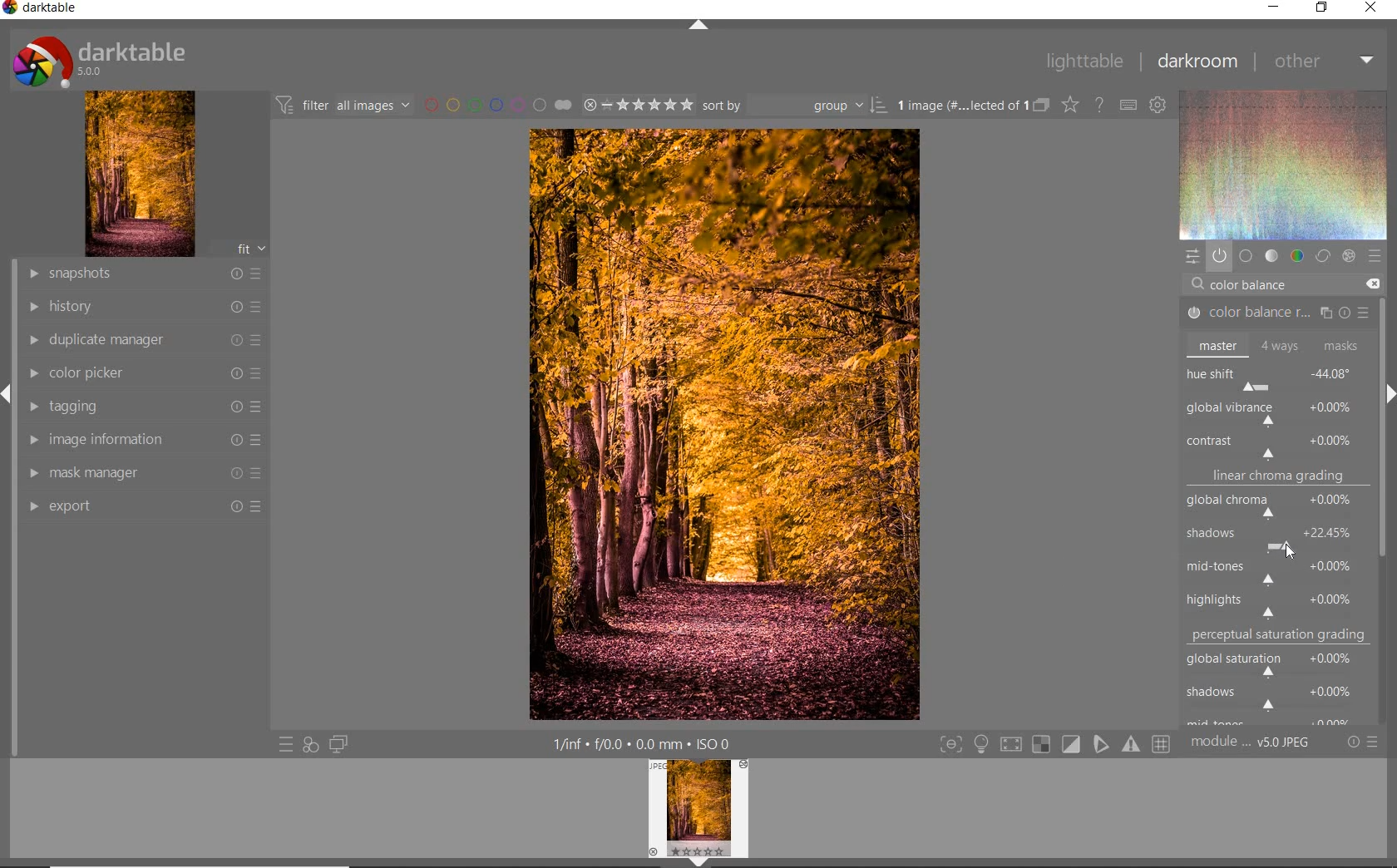 The width and height of the screenshot is (1397, 868). I want to click on image information, so click(141, 439).